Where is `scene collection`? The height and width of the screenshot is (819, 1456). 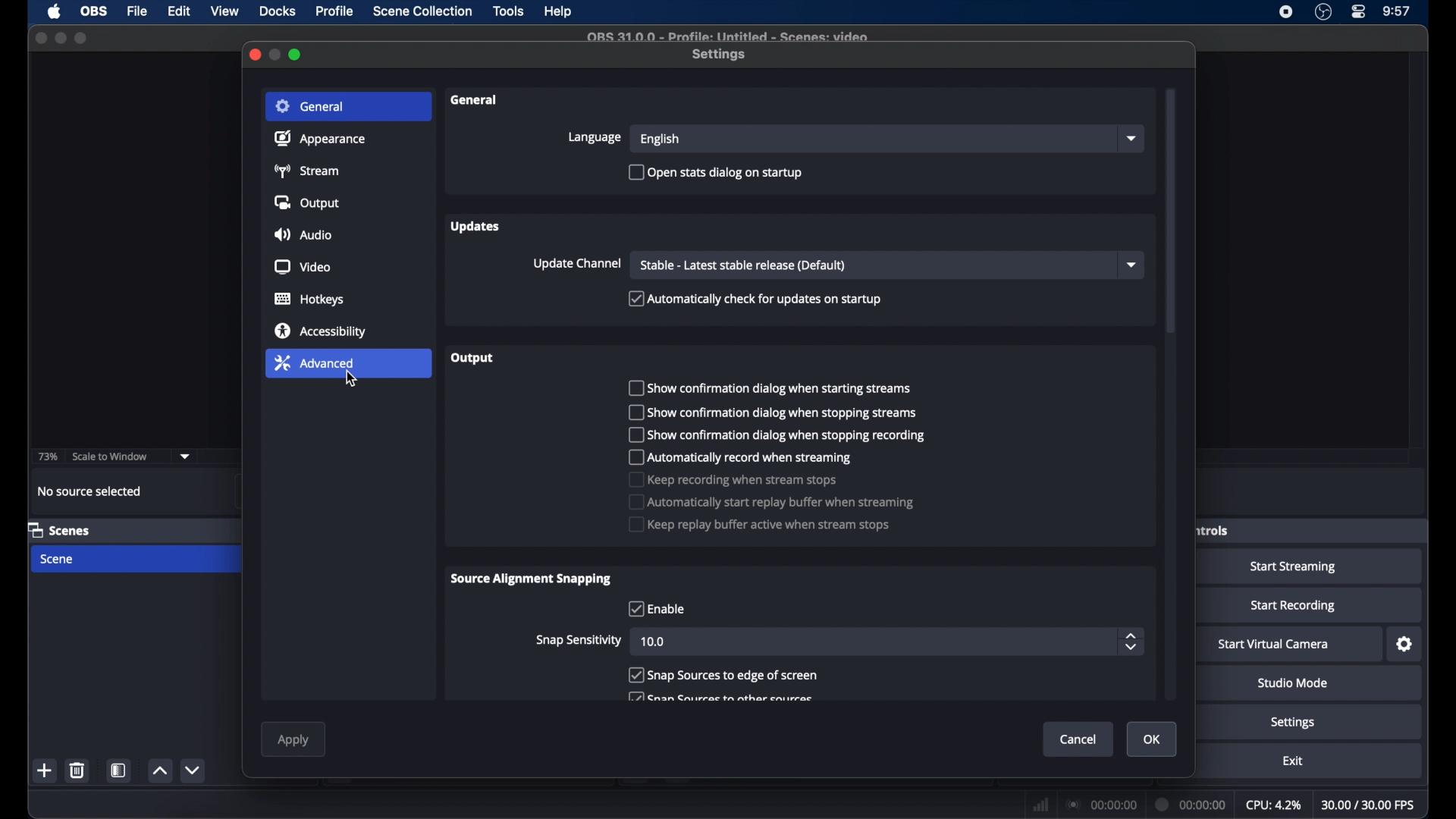 scene collection is located at coordinates (424, 11).